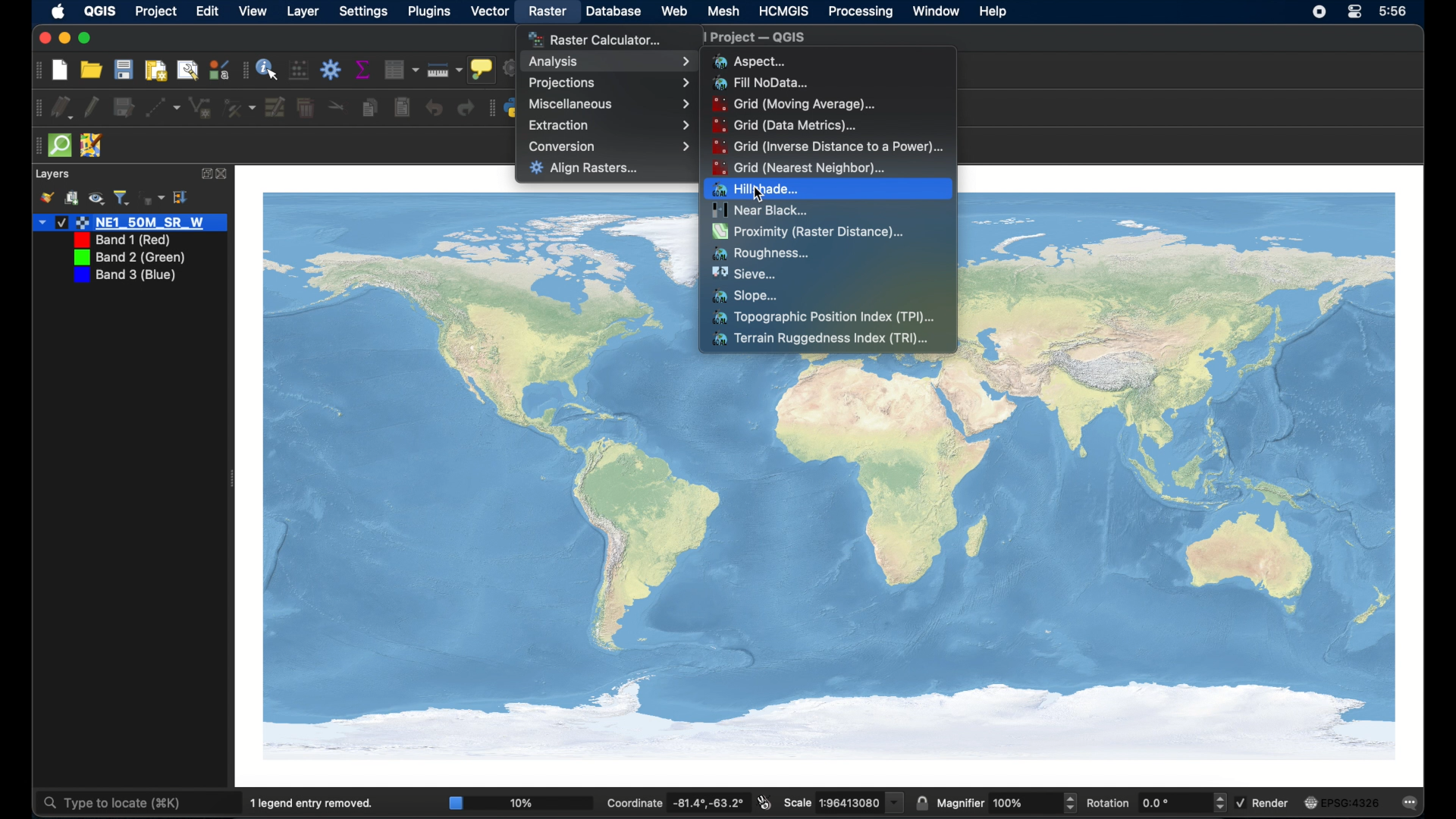  I want to click on settings, so click(363, 11).